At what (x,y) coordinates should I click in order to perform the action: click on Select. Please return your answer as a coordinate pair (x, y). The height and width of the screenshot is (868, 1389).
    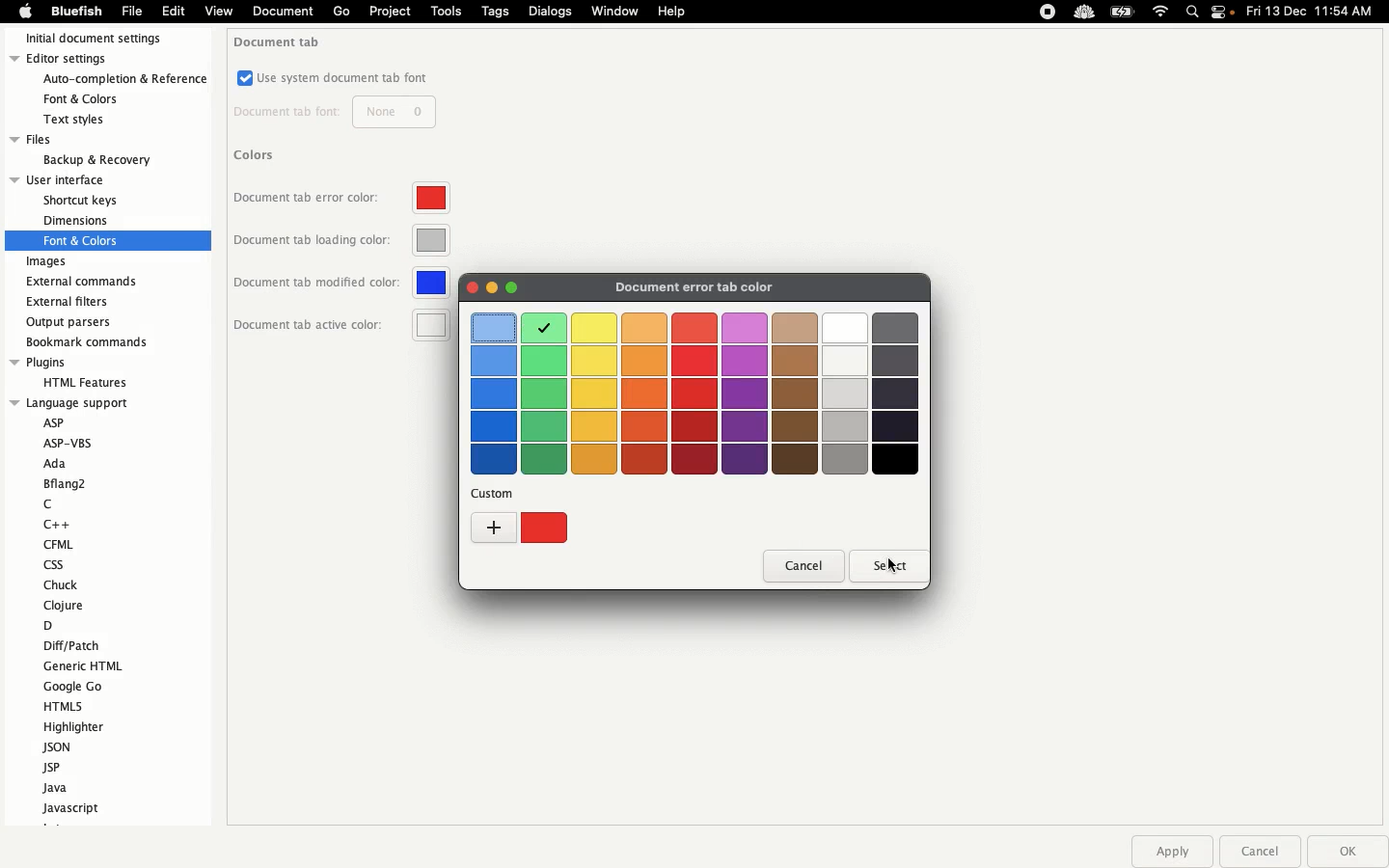
    Looking at the image, I should click on (882, 564).